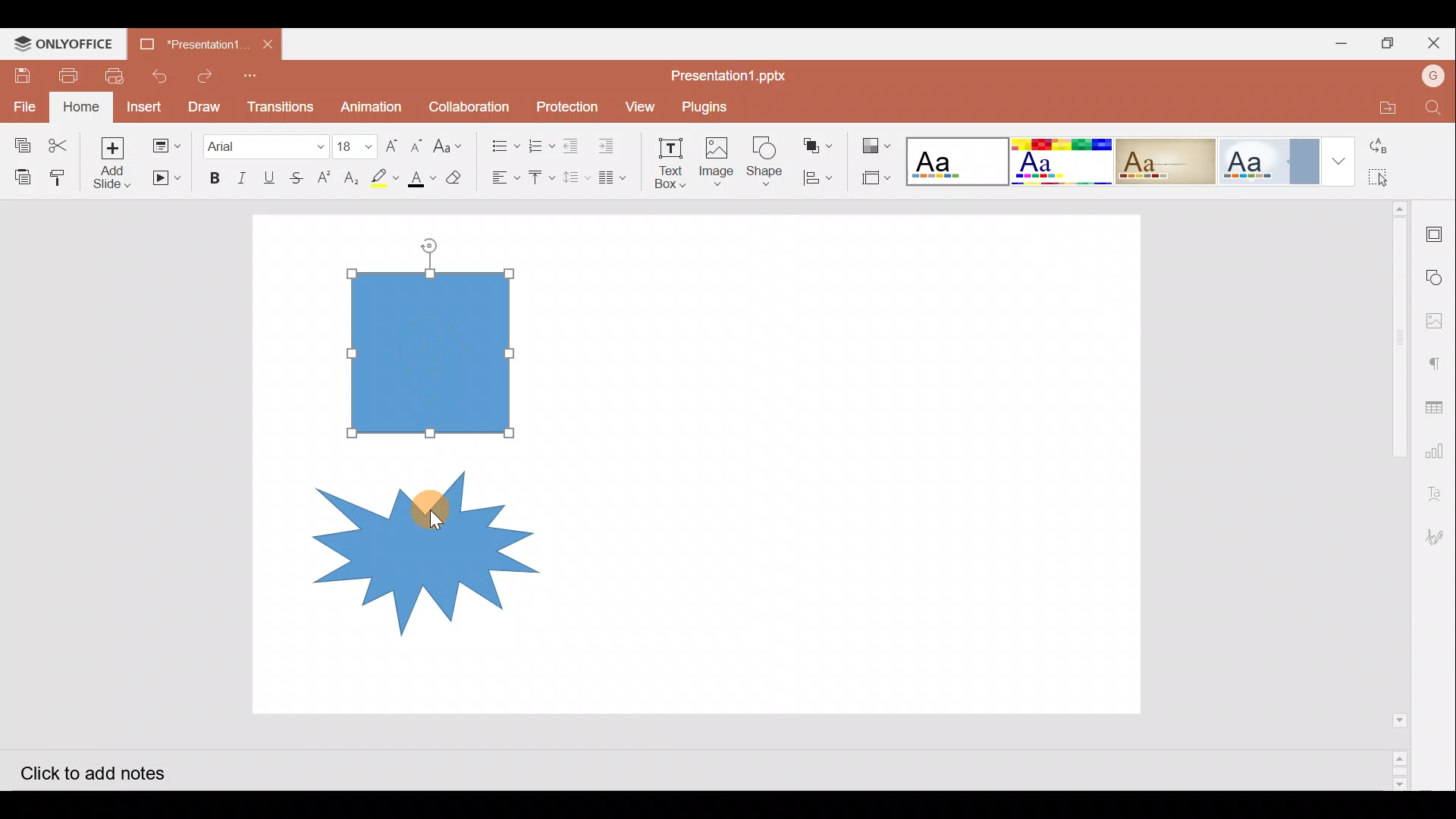 This screenshot has height=819, width=1456. Describe the element at coordinates (540, 142) in the screenshot. I see `Numbering` at that location.